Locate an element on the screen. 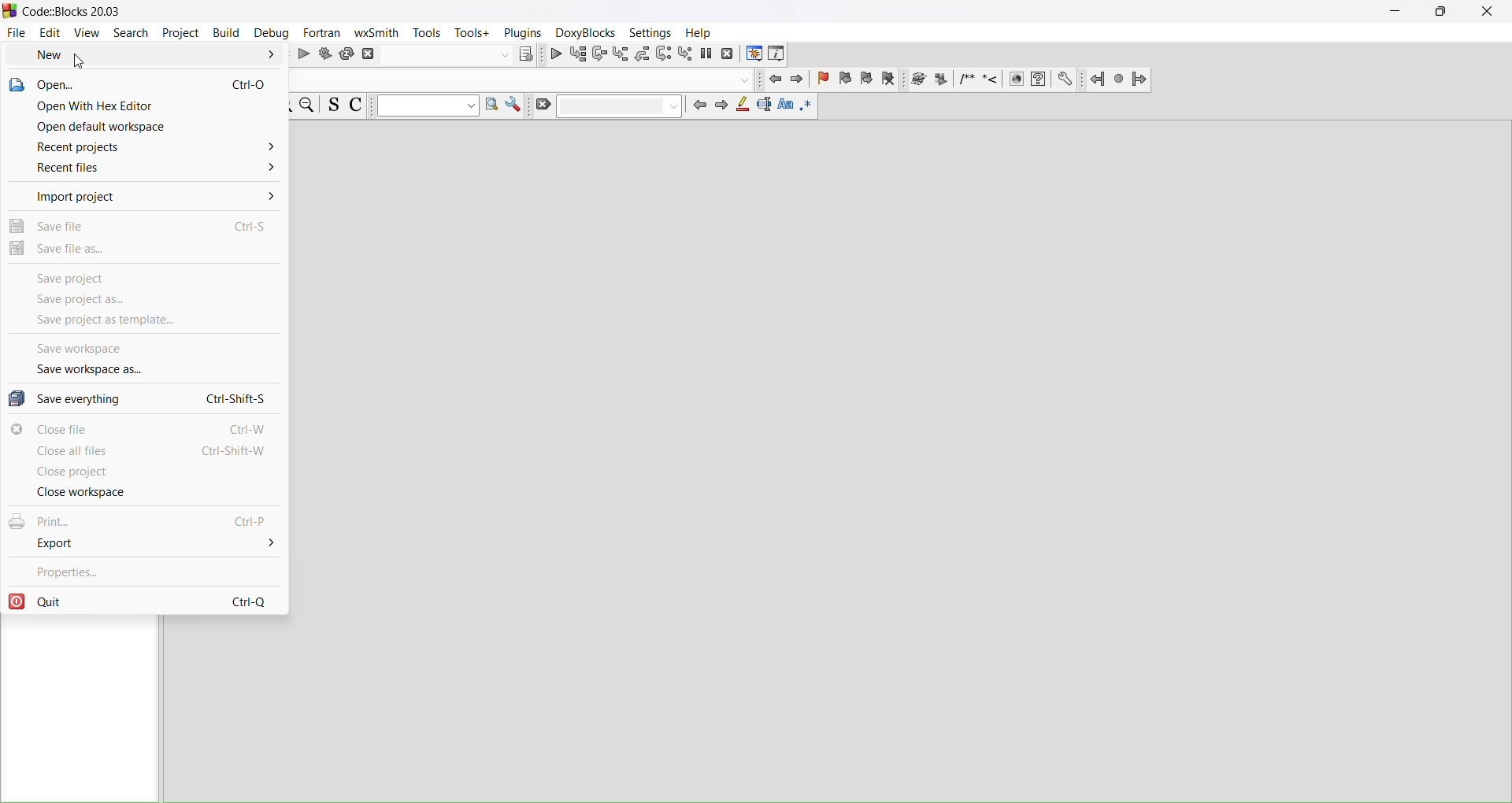 Image resolution: width=1512 pixels, height=803 pixels. toggle bookmark is located at coordinates (824, 77).